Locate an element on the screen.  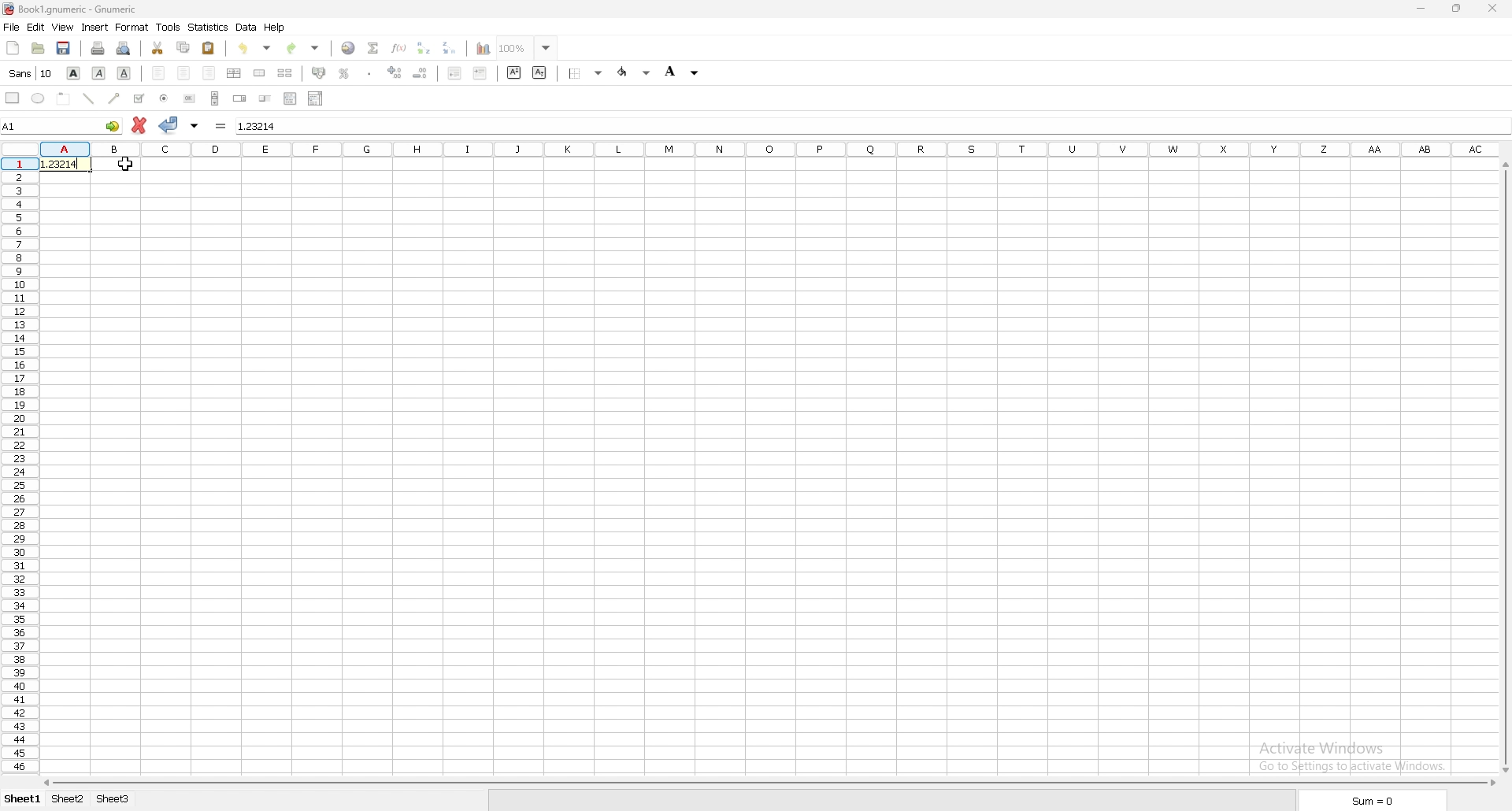
sheet 3 is located at coordinates (113, 799).